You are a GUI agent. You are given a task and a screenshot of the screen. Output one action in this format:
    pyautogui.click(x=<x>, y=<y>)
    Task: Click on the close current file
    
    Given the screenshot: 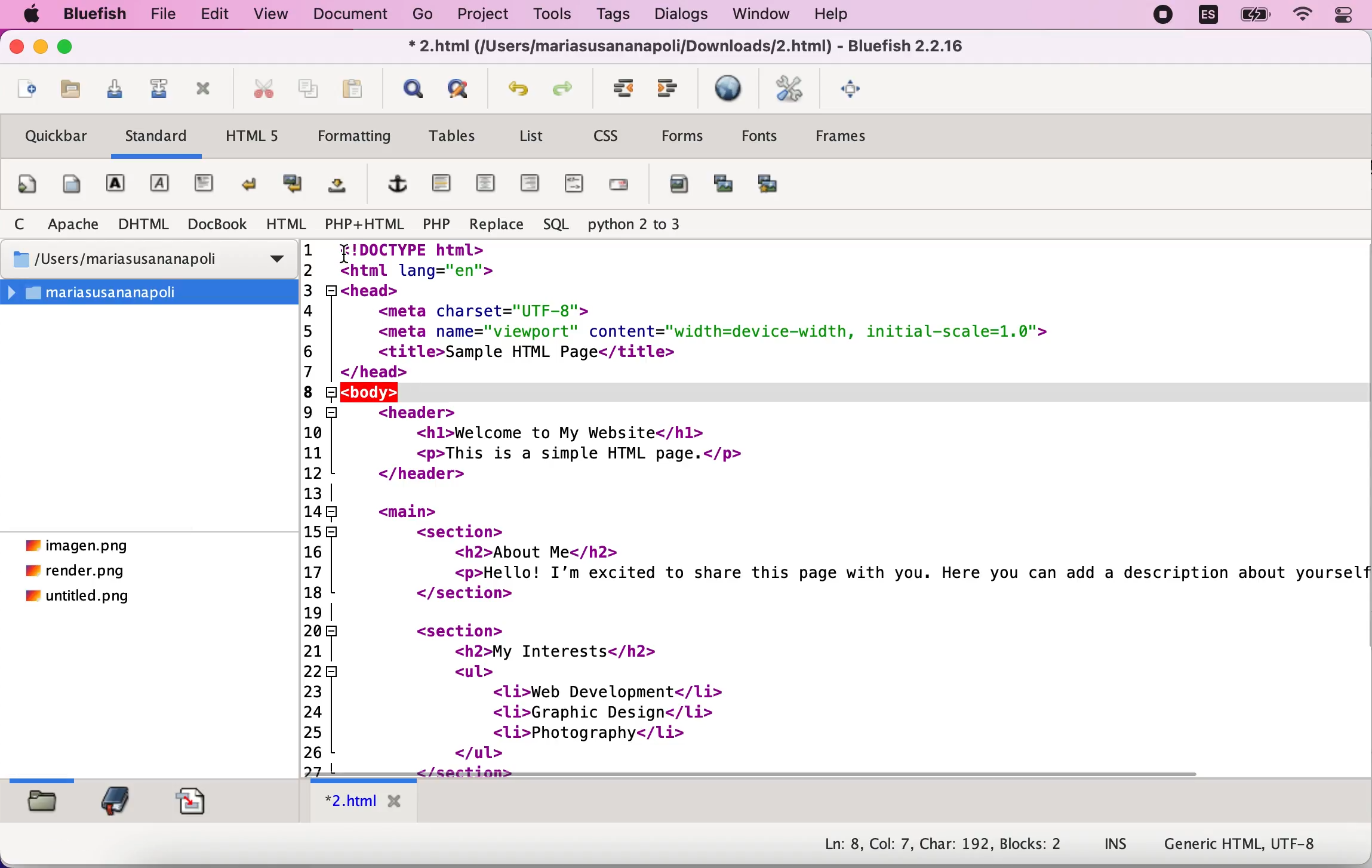 What is the action you would take?
    pyautogui.click(x=204, y=91)
    